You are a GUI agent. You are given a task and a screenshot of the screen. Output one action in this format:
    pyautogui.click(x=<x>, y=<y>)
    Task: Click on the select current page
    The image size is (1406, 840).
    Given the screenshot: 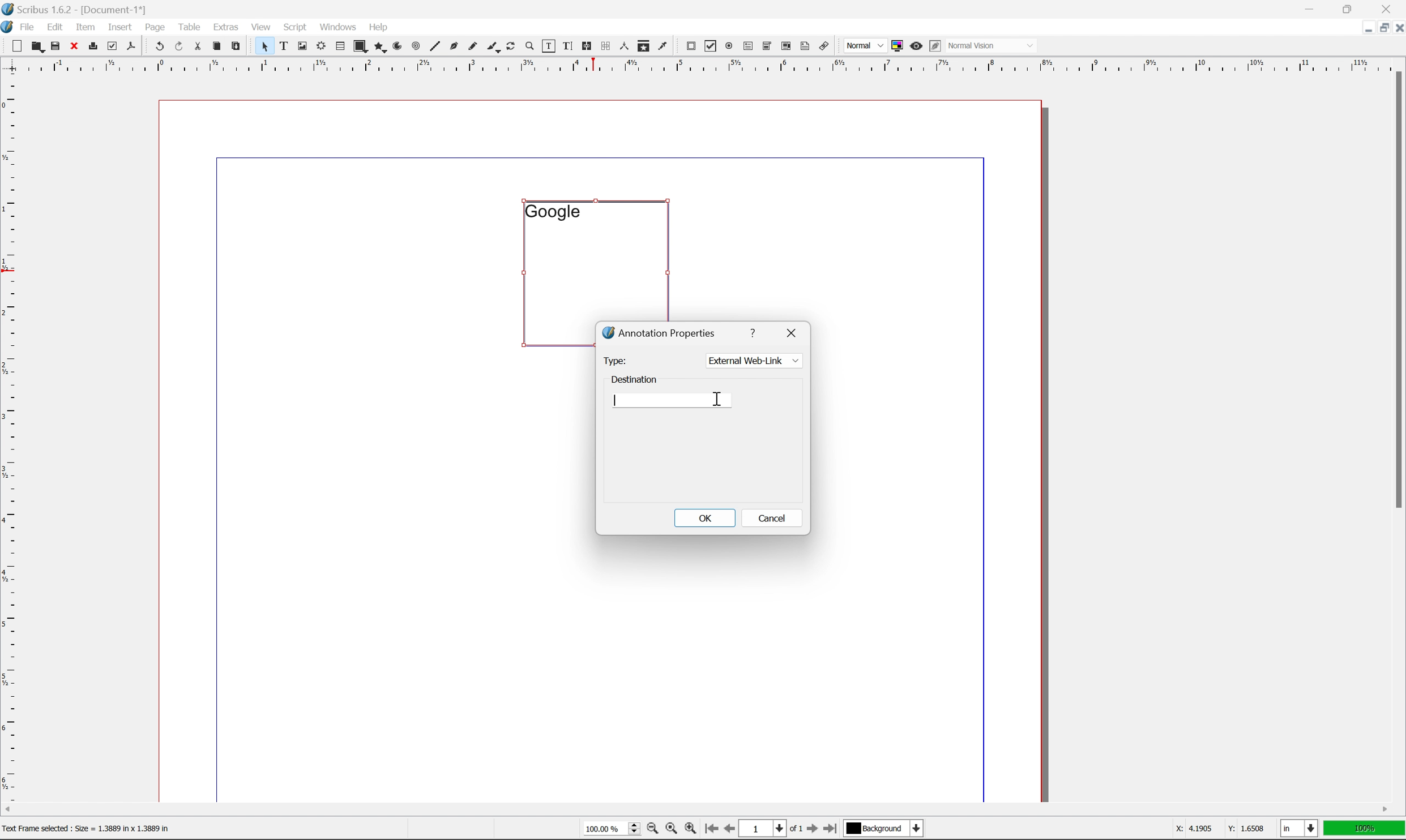 What is the action you would take?
    pyautogui.click(x=770, y=830)
    